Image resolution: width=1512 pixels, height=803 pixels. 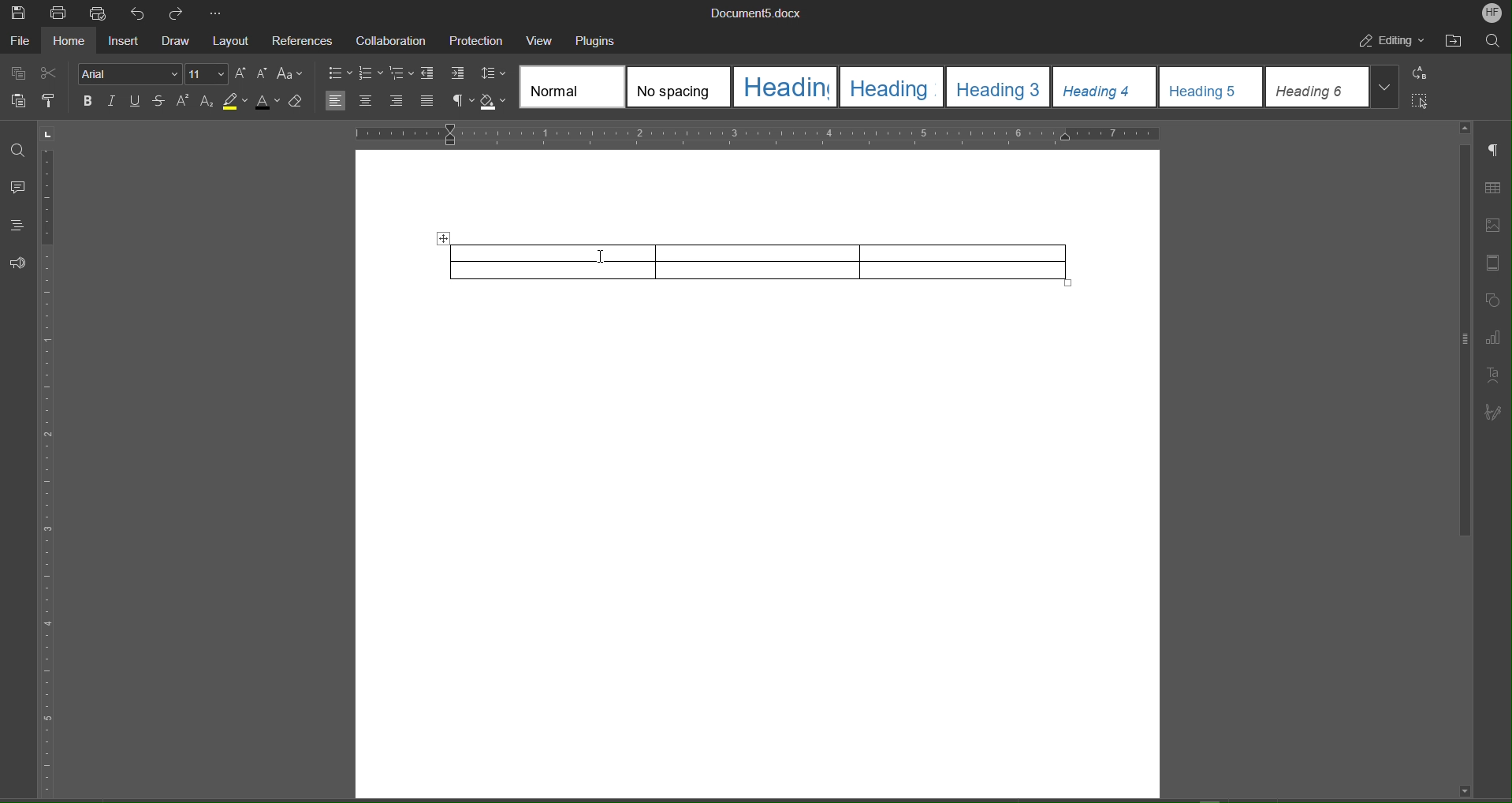 I want to click on heading 6, so click(x=1317, y=87).